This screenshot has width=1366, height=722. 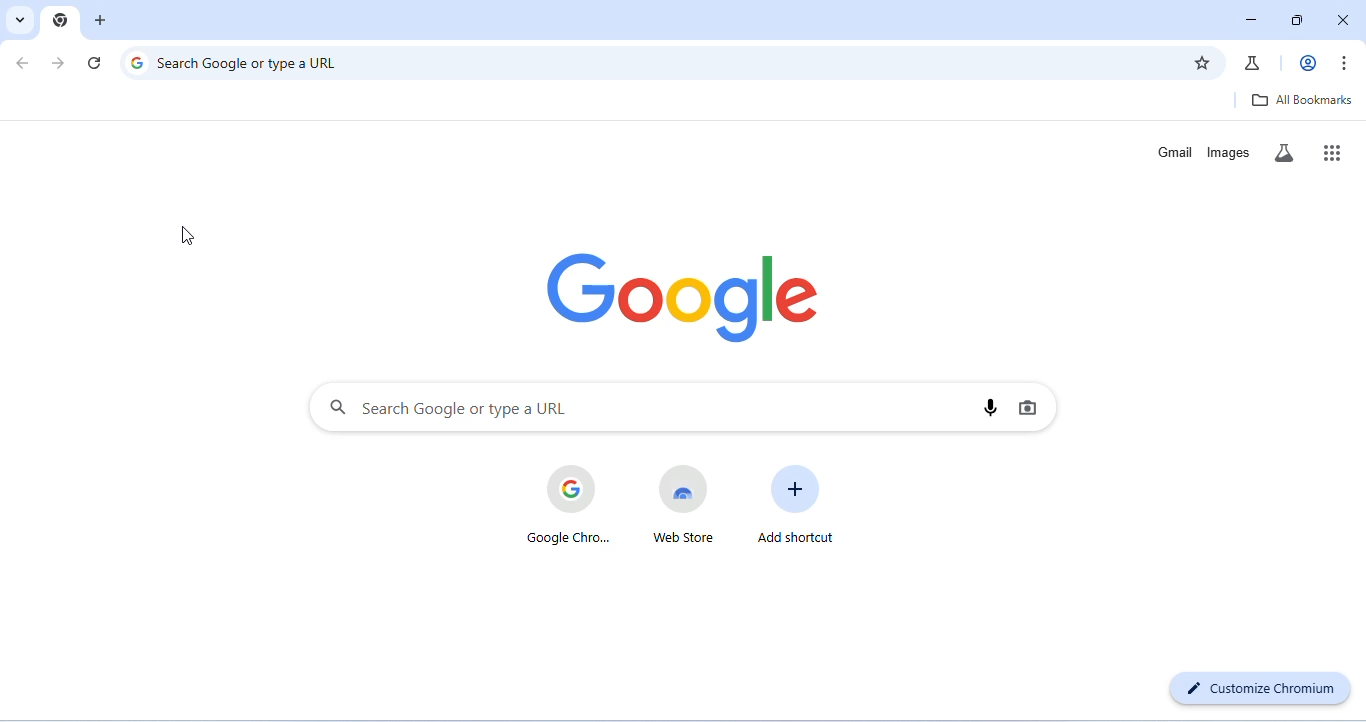 What do you see at coordinates (1304, 100) in the screenshot?
I see `all bookmarks` at bounding box center [1304, 100].